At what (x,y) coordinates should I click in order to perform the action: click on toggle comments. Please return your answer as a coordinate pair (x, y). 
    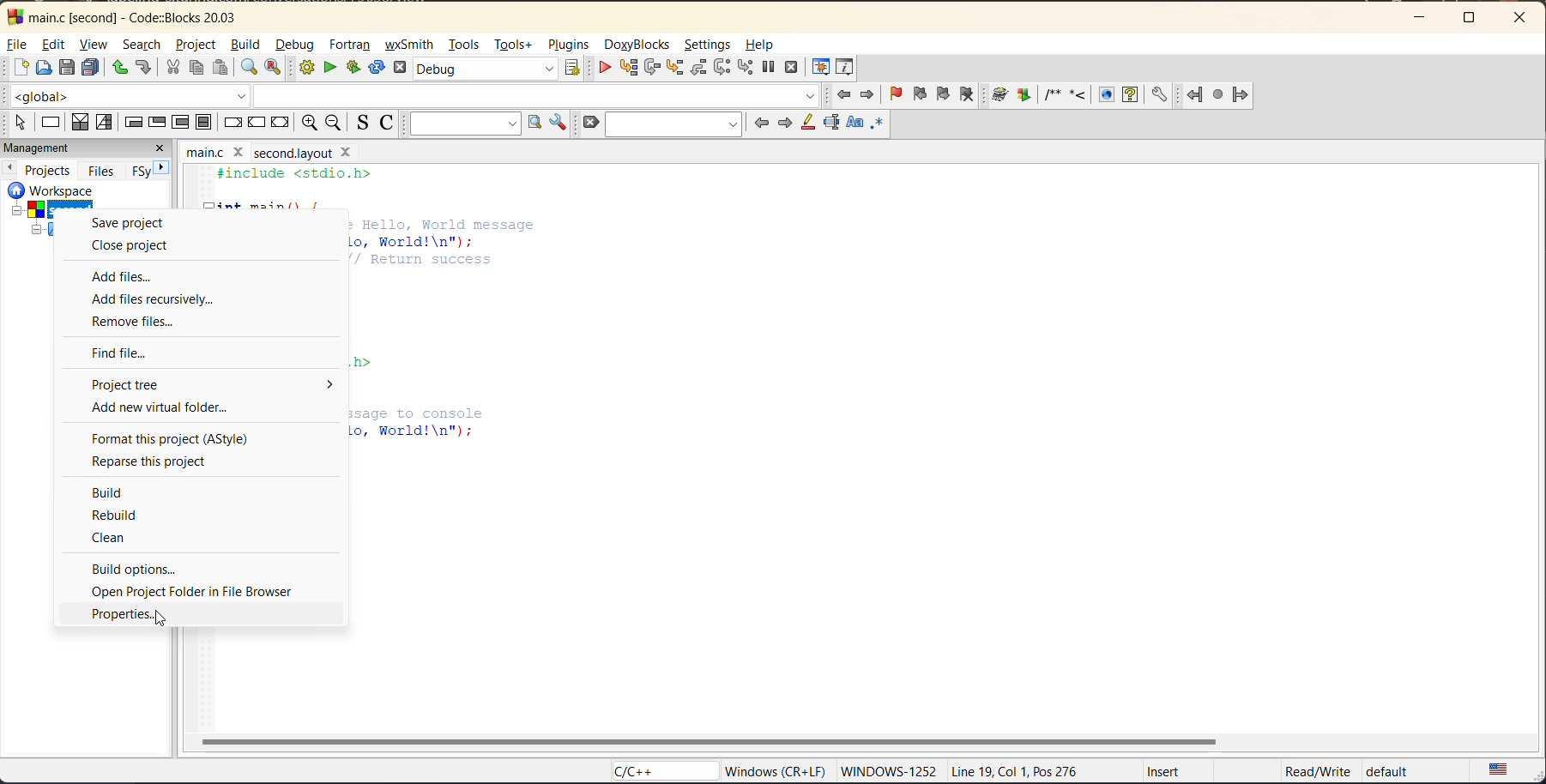
    Looking at the image, I should click on (389, 125).